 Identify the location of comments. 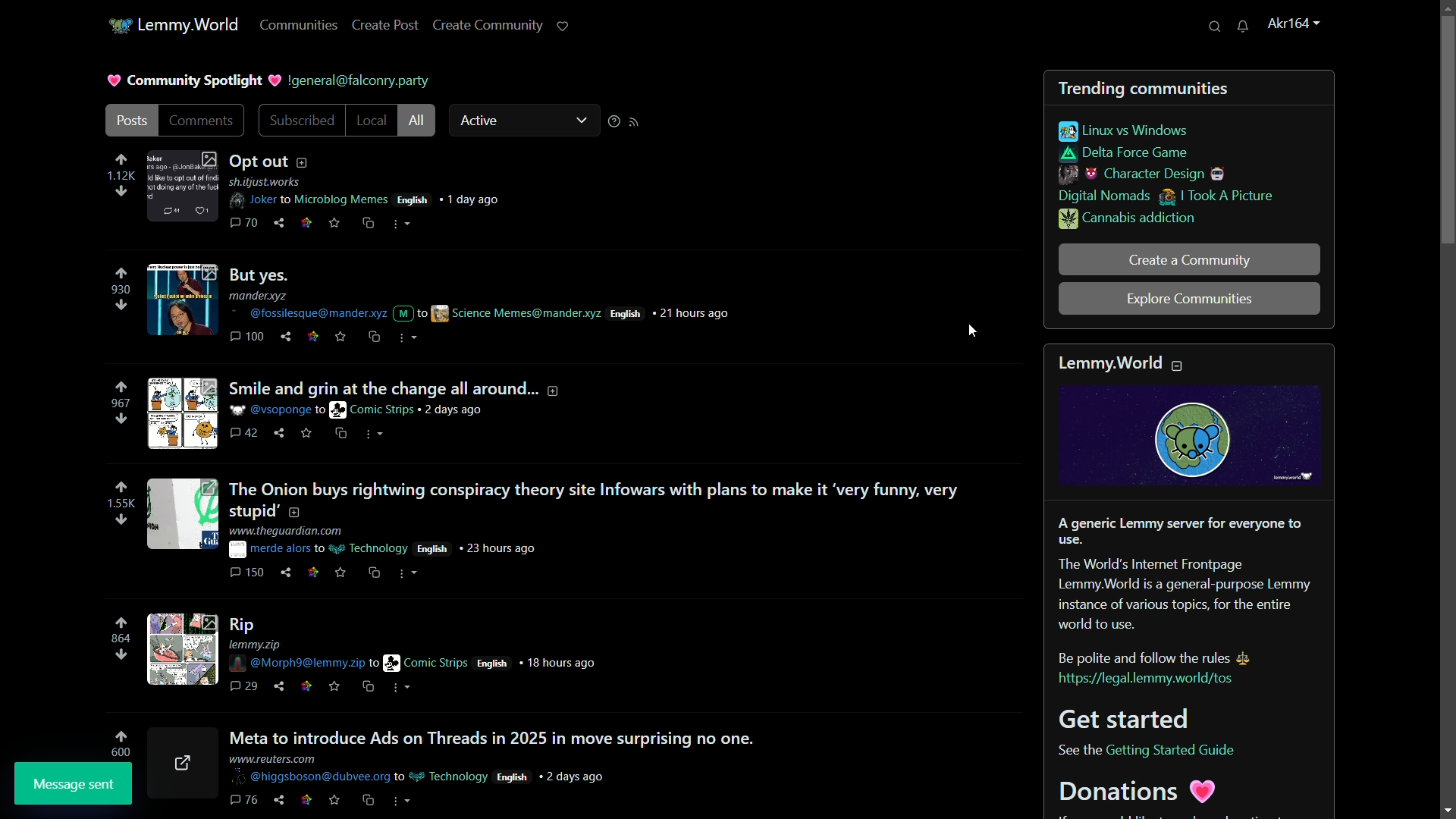
(202, 121).